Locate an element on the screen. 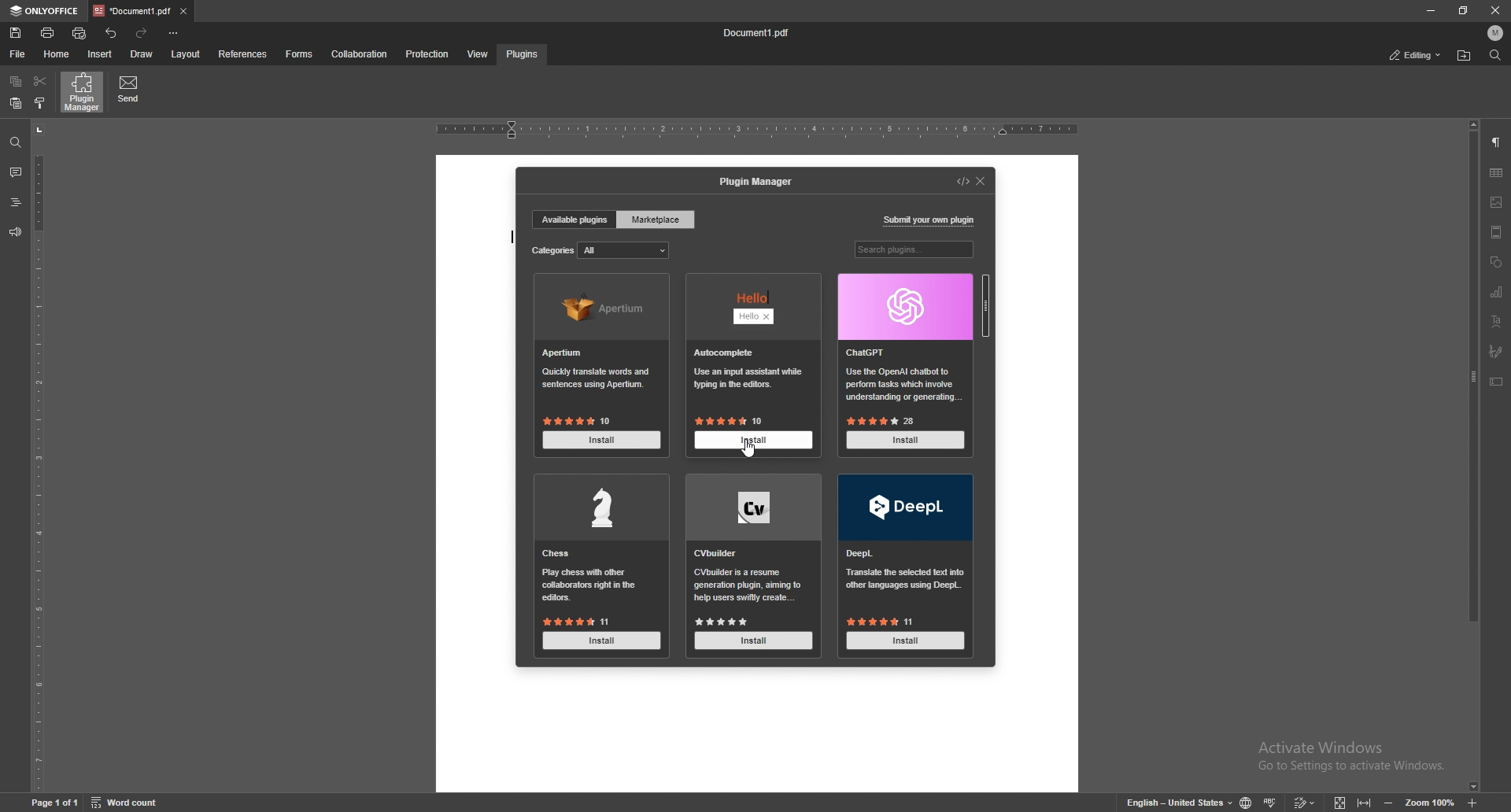  tab is located at coordinates (131, 13).